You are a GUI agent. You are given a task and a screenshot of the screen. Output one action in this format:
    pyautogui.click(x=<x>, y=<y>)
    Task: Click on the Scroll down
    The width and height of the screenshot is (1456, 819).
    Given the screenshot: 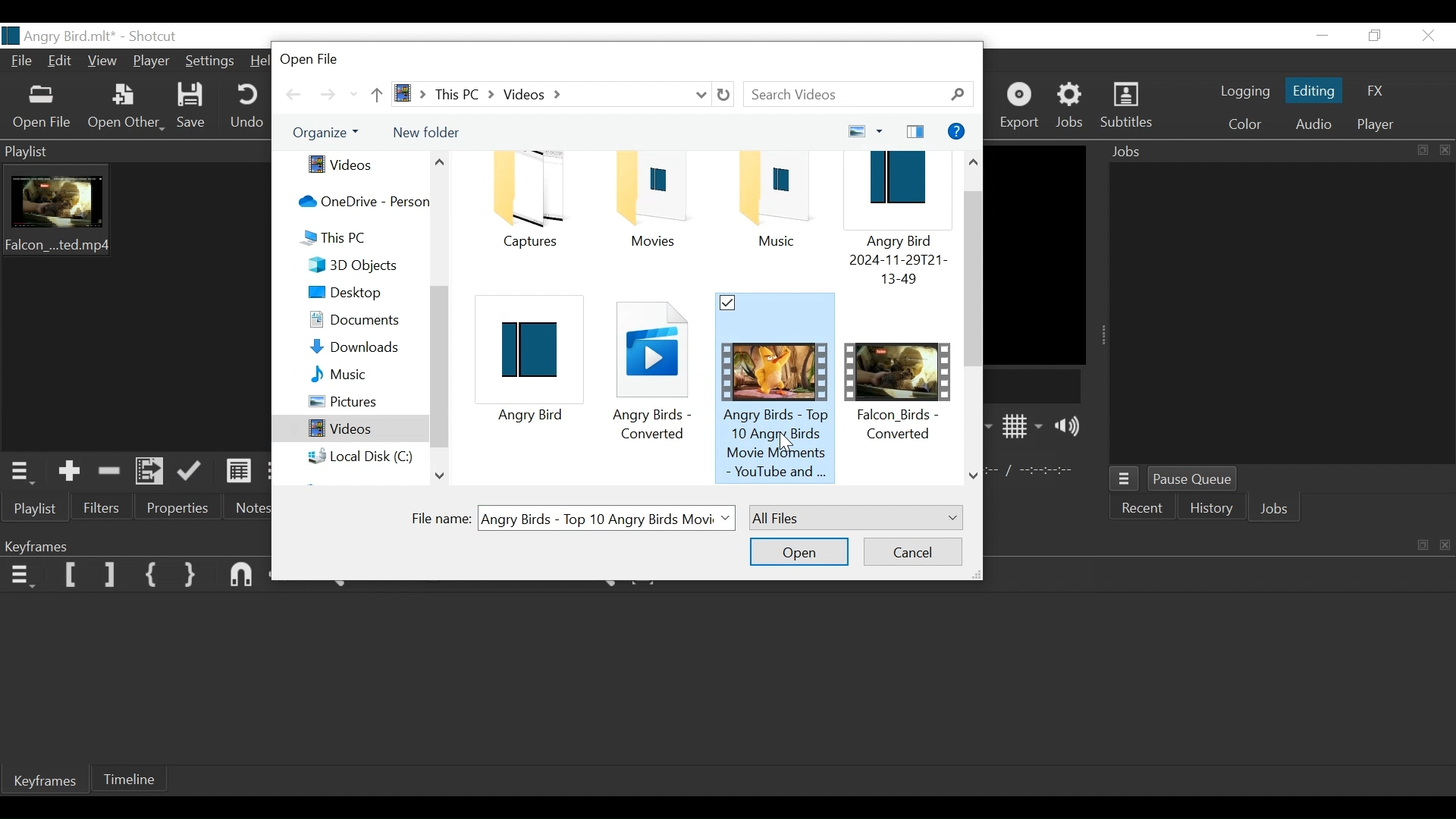 What is the action you would take?
    pyautogui.click(x=974, y=476)
    